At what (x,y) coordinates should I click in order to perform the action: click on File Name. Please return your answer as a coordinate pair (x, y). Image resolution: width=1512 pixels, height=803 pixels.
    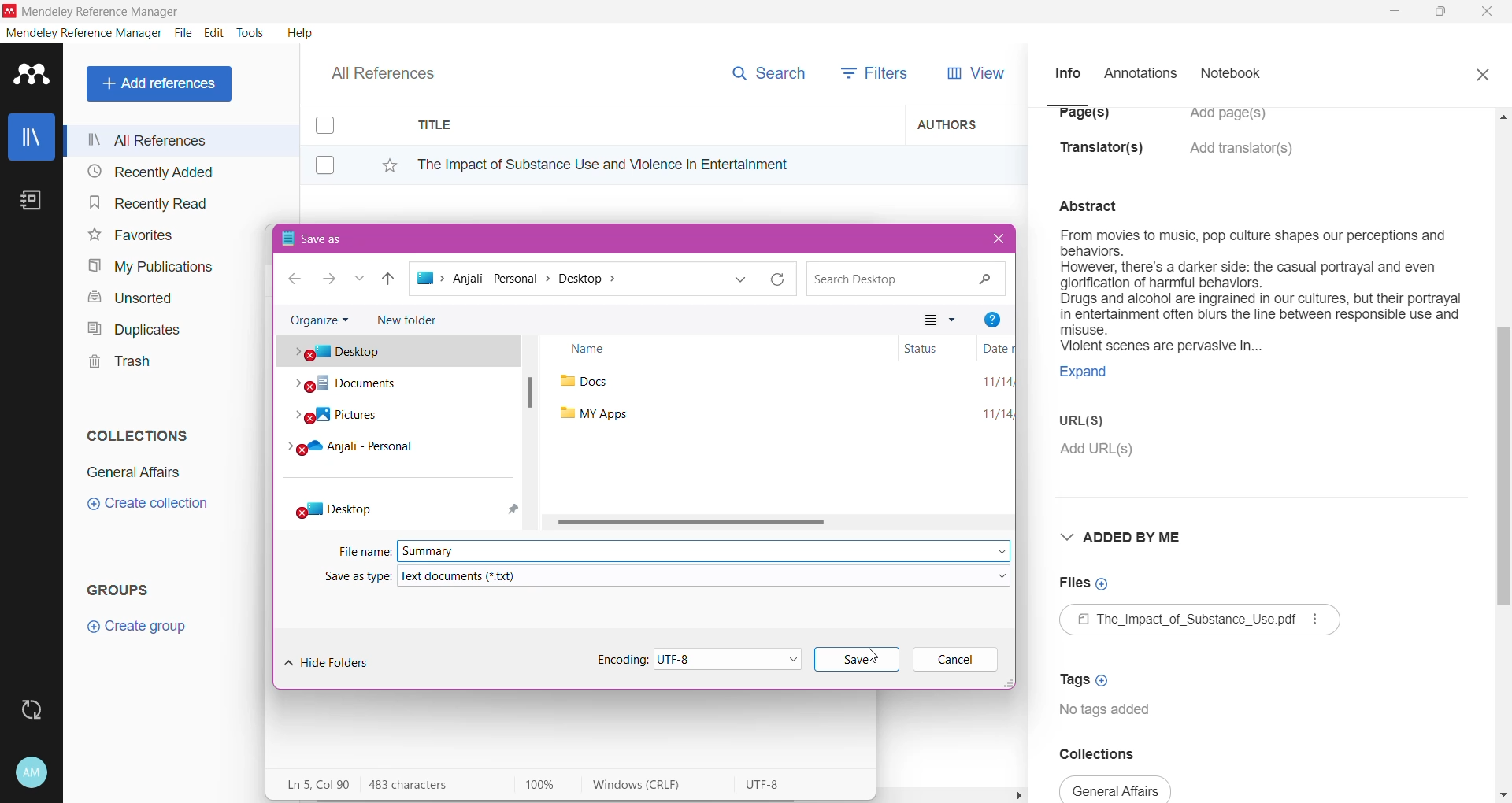
    Looking at the image, I should click on (365, 550).